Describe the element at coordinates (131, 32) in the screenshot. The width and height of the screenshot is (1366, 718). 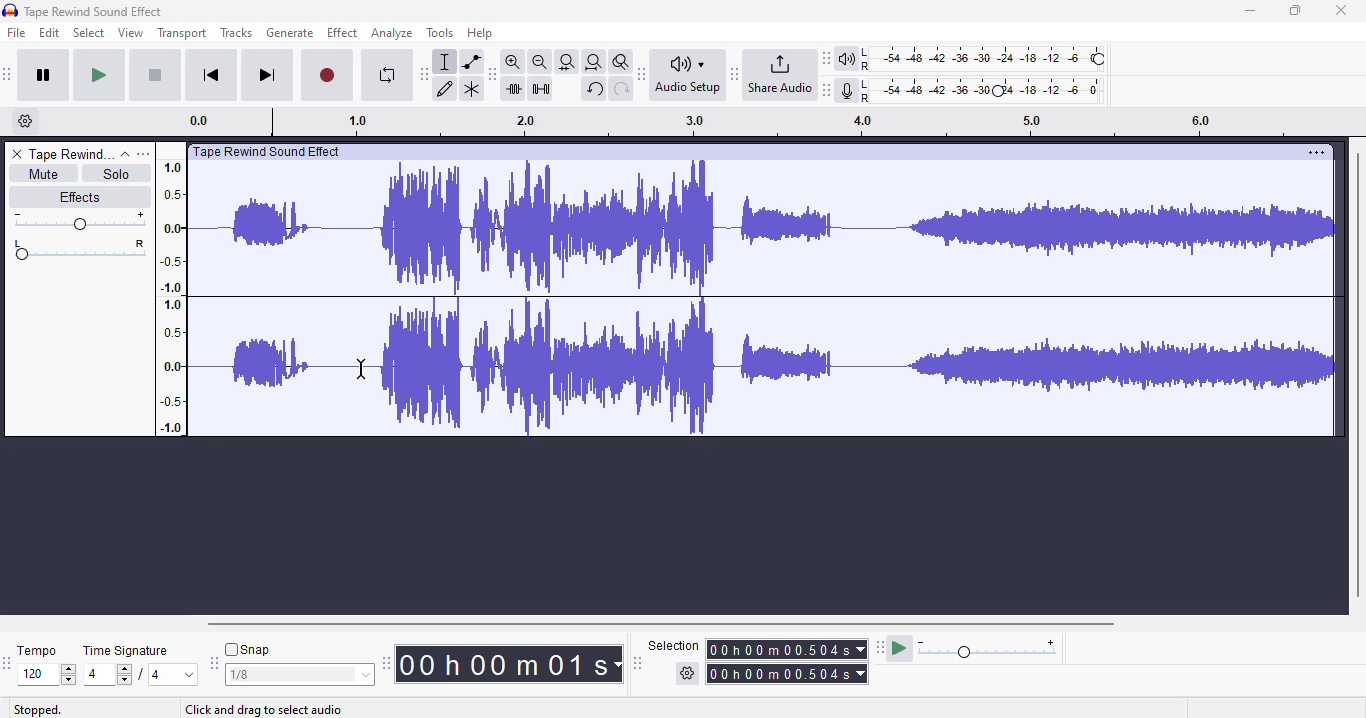
I see `view` at that location.